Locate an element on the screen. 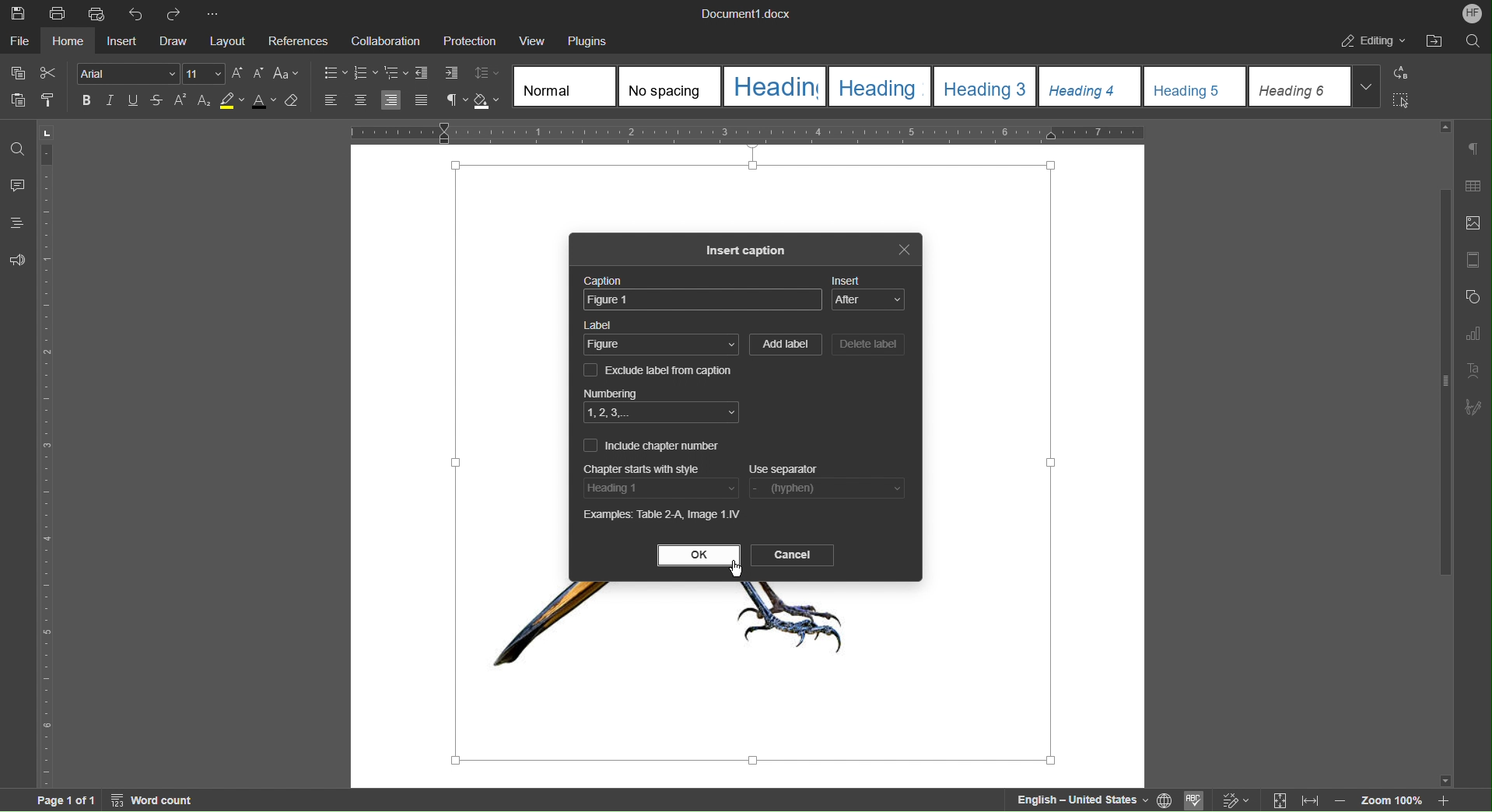 The height and width of the screenshot is (812, 1492). Heading 4 is located at coordinates (1090, 86).